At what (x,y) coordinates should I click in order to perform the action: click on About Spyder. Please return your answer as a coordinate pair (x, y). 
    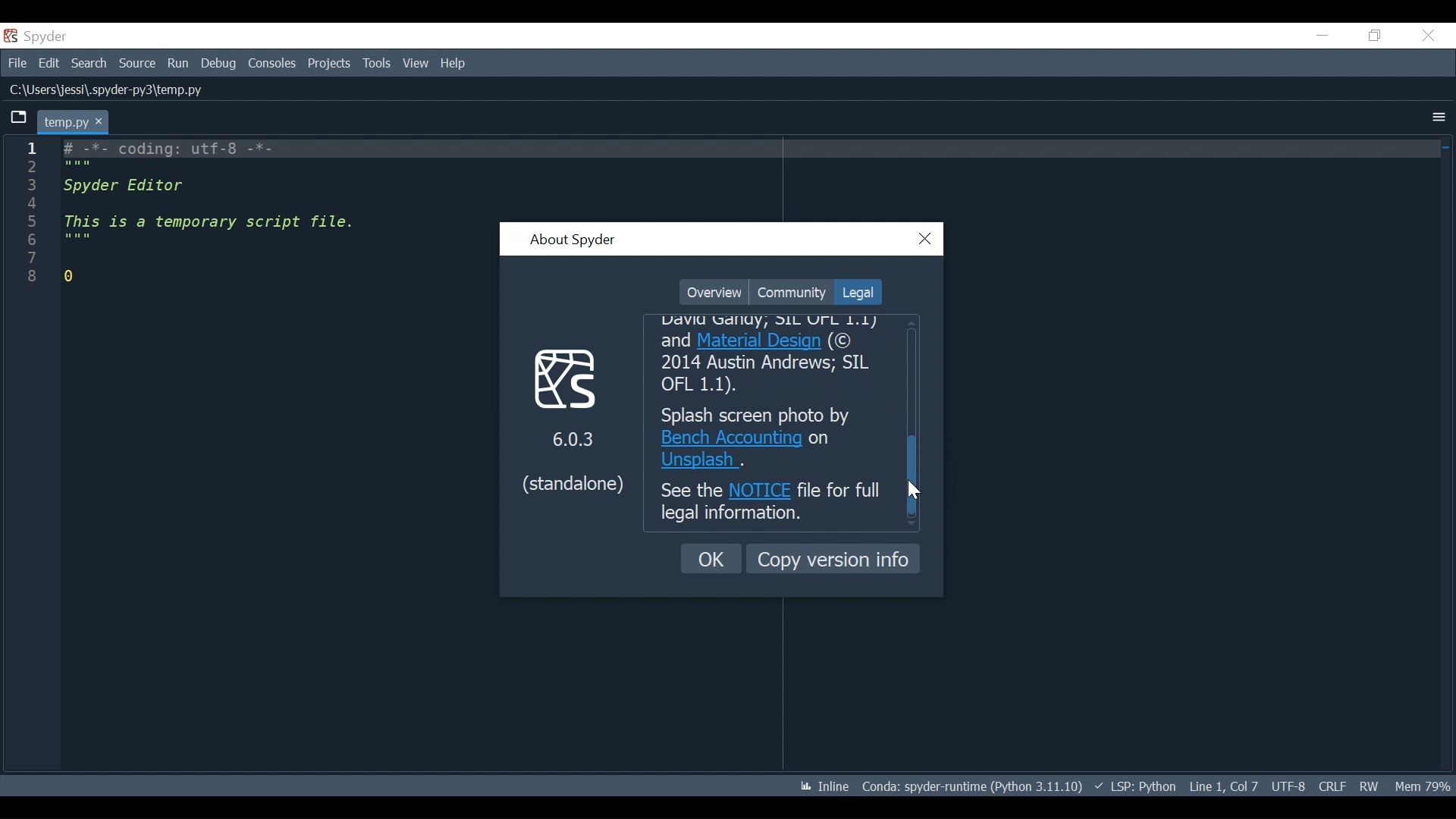
    Looking at the image, I should click on (572, 241).